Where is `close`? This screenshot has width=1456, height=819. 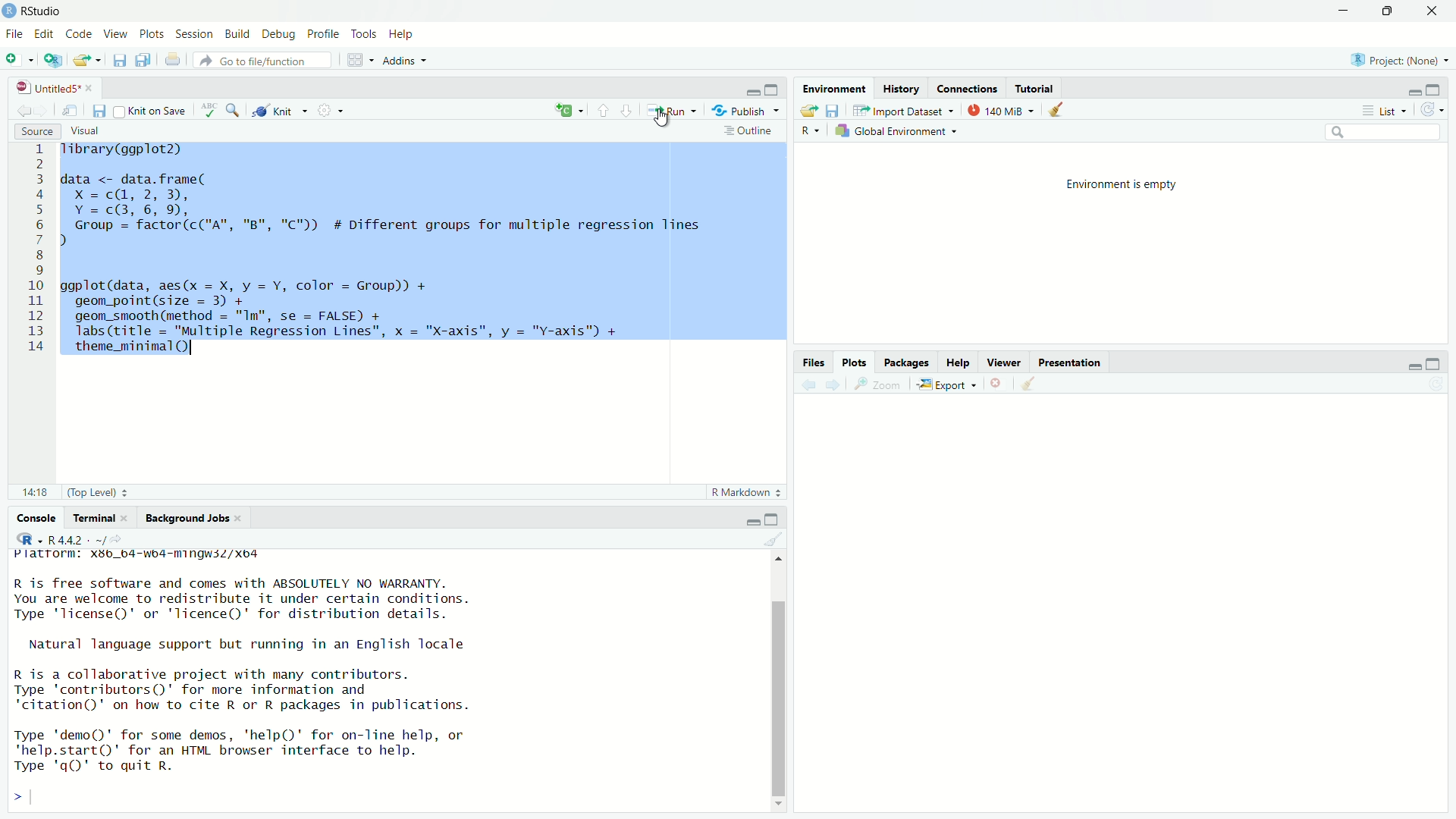
close is located at coordinates (1438, 11).